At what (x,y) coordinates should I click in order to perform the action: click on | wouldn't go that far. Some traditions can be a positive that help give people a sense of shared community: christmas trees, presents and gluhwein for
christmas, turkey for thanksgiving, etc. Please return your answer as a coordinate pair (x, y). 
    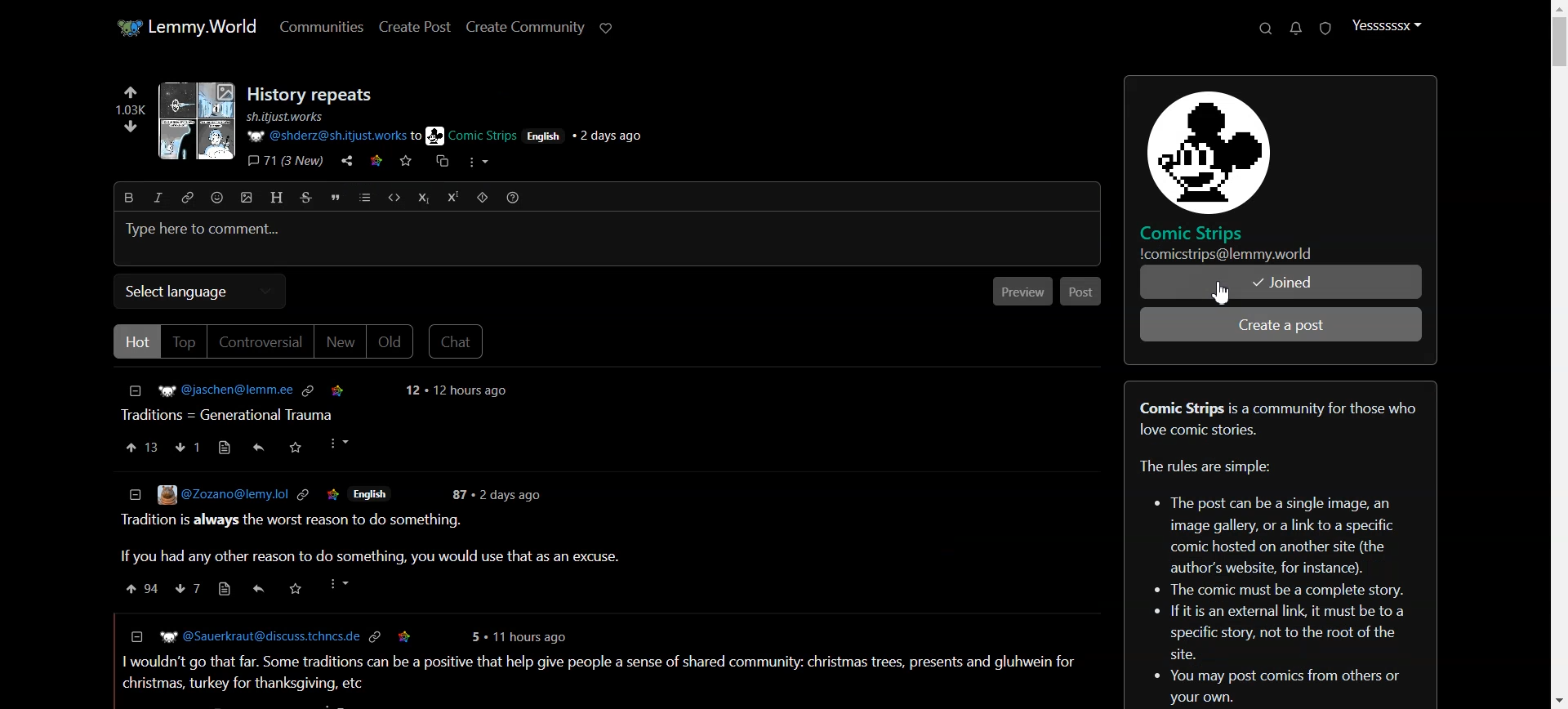
    Looking at the image, I should click on (598, 671).